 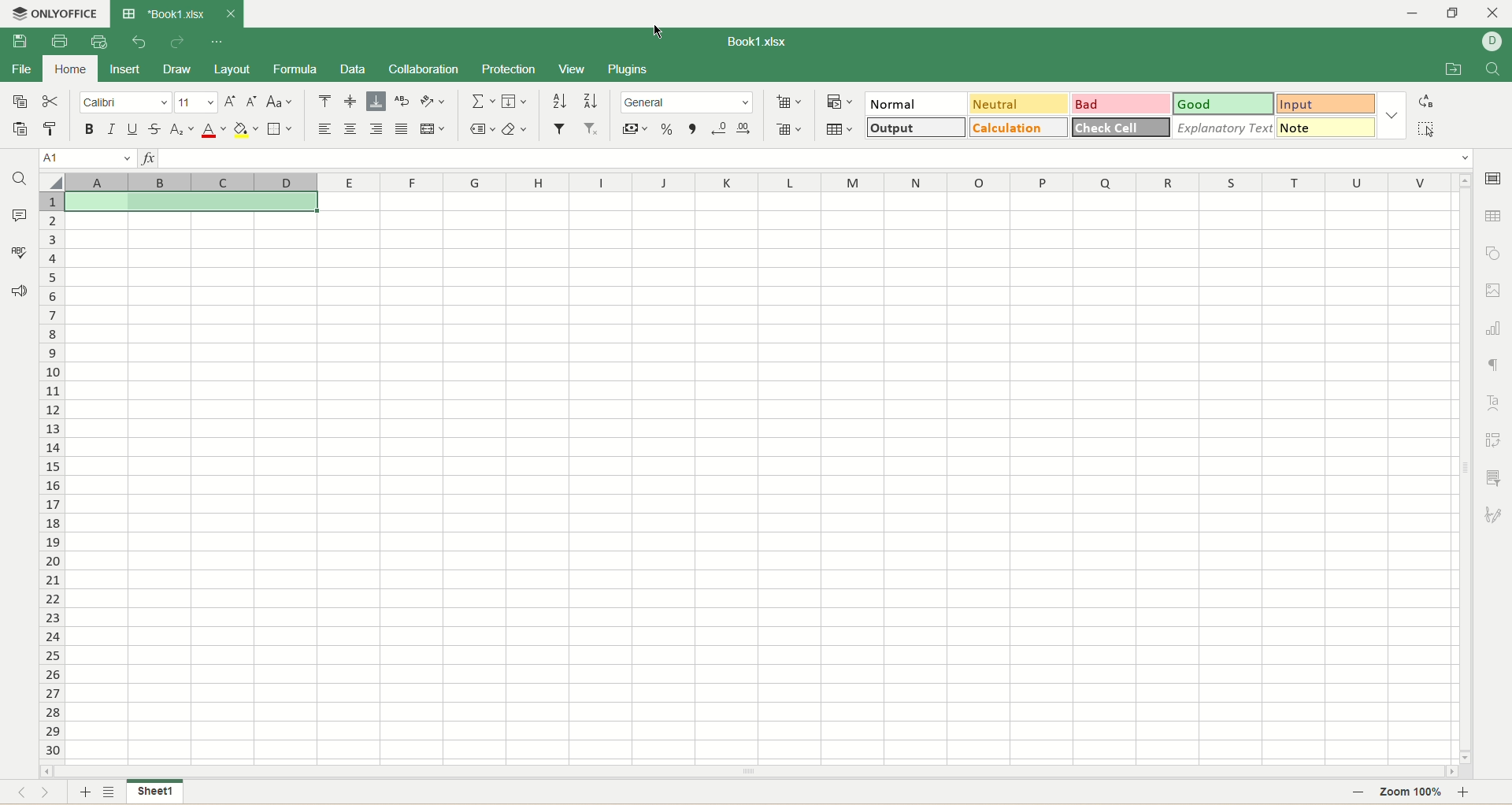 I want to click on output, so click(x=916, y=127).